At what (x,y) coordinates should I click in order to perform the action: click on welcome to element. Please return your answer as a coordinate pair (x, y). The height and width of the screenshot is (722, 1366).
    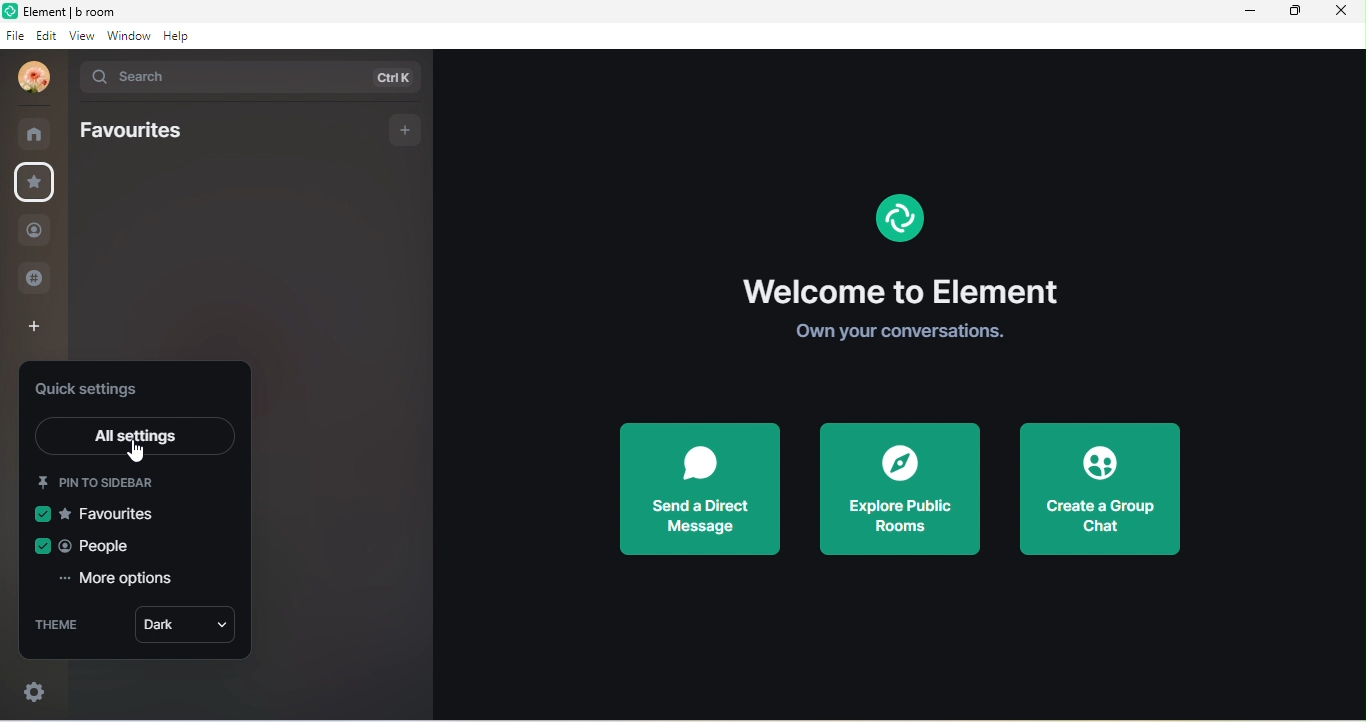
    Looking at the image, I should click on (910, 289).